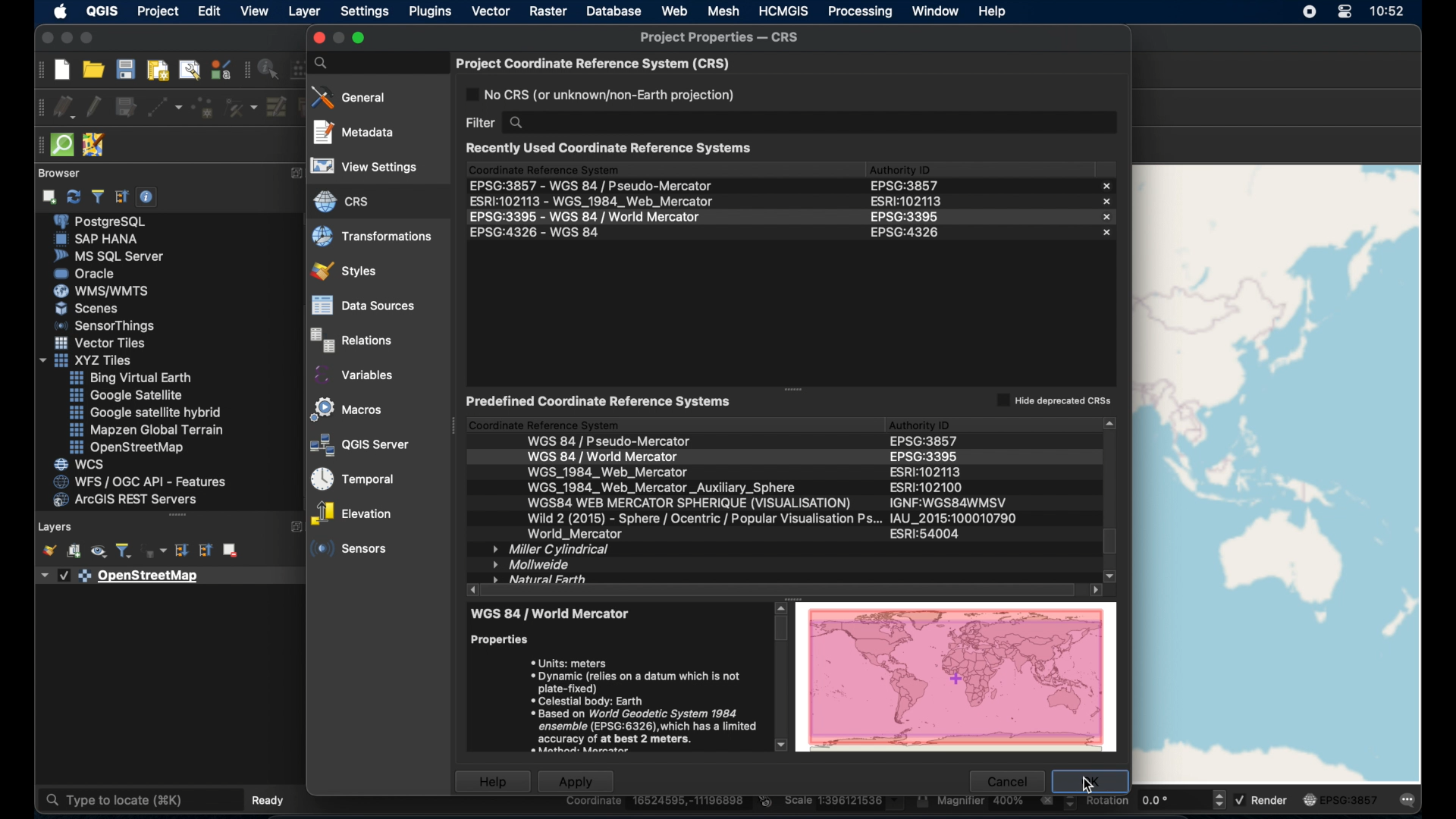 This screenshot has height=819, width=1456. Describe the element at coordinates (642, 700) in the screenshot. I see `* Units: meters

* Dynamic (relies on a datum which is not
plate-fixed)

* Celestial body: Earth

«Based on World Geodetic System 1984
ensemble (EPSG:6326),which has a limited
‘accuracy of at best 2 meters.` at that location.